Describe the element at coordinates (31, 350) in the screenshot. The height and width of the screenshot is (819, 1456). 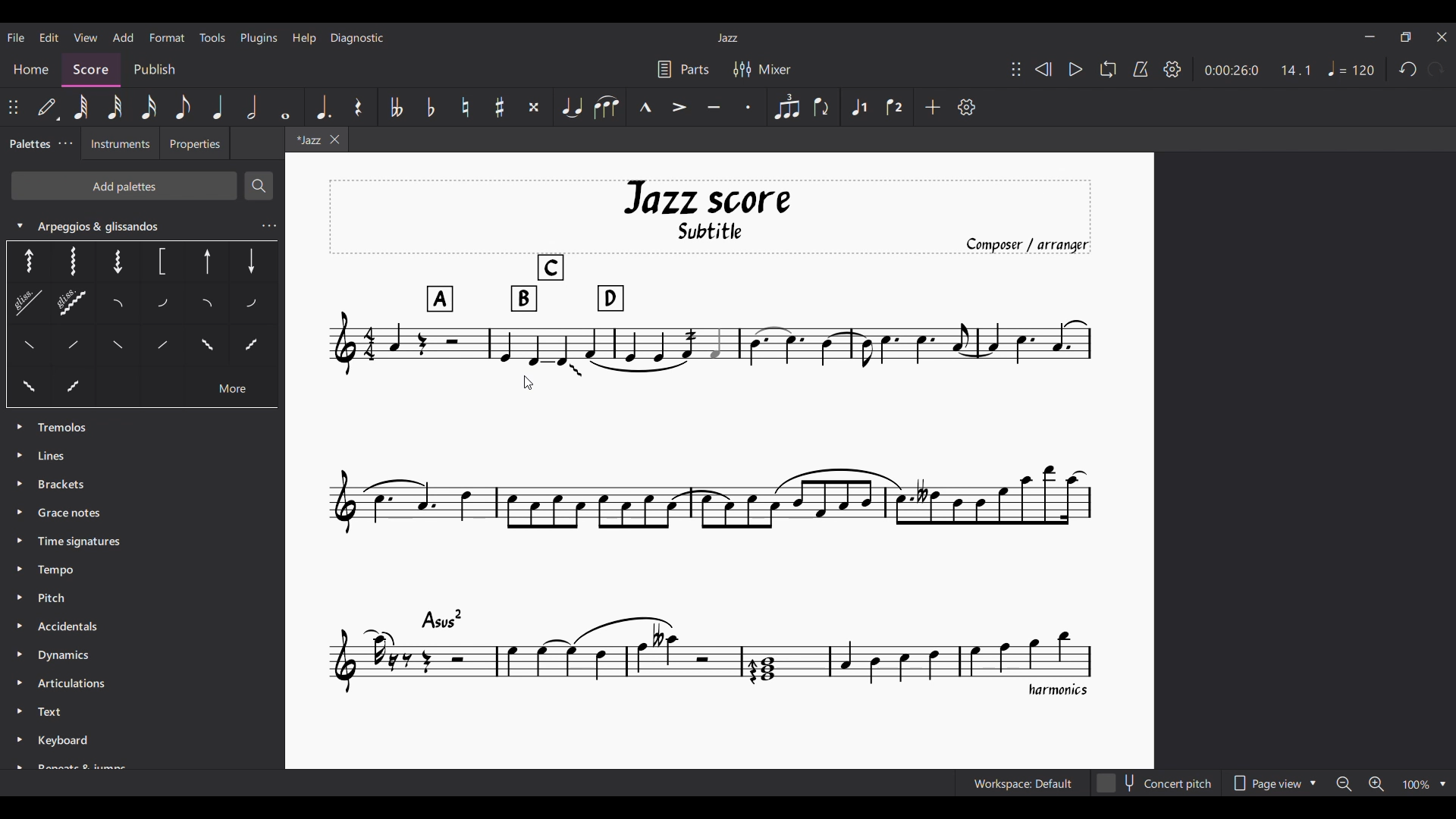
I see `Straight ` at that location.